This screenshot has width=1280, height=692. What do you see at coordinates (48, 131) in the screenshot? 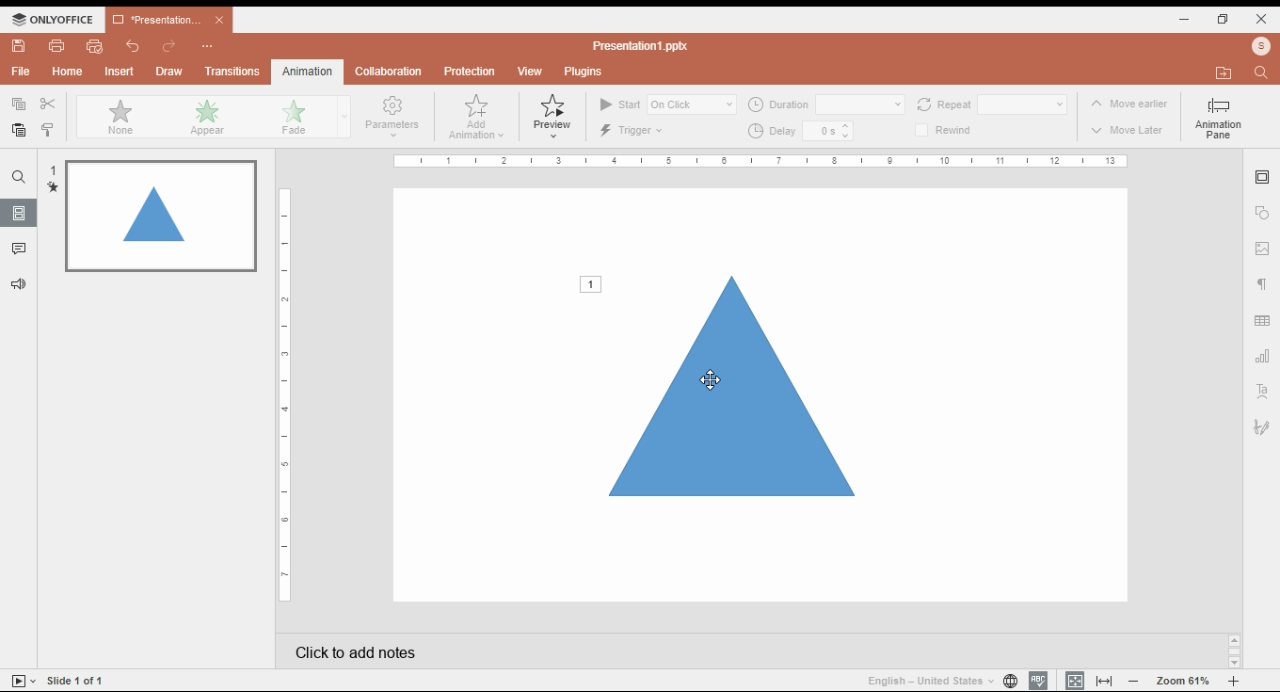
I see `copy style` at bounding box center [48, 131].